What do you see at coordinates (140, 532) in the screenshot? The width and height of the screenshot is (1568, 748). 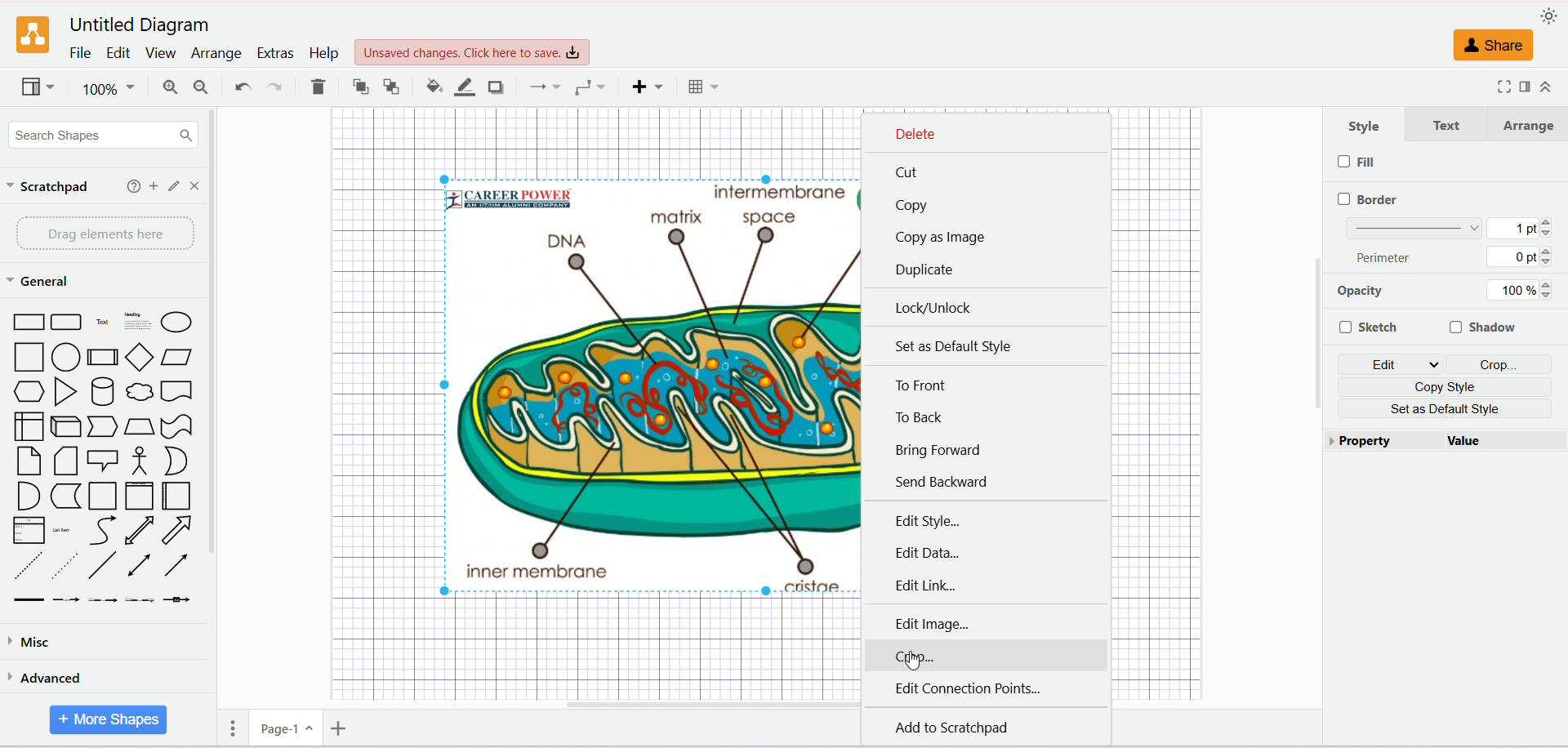 I see `Bidirectional Arrow` at bounding box center [140, 532].